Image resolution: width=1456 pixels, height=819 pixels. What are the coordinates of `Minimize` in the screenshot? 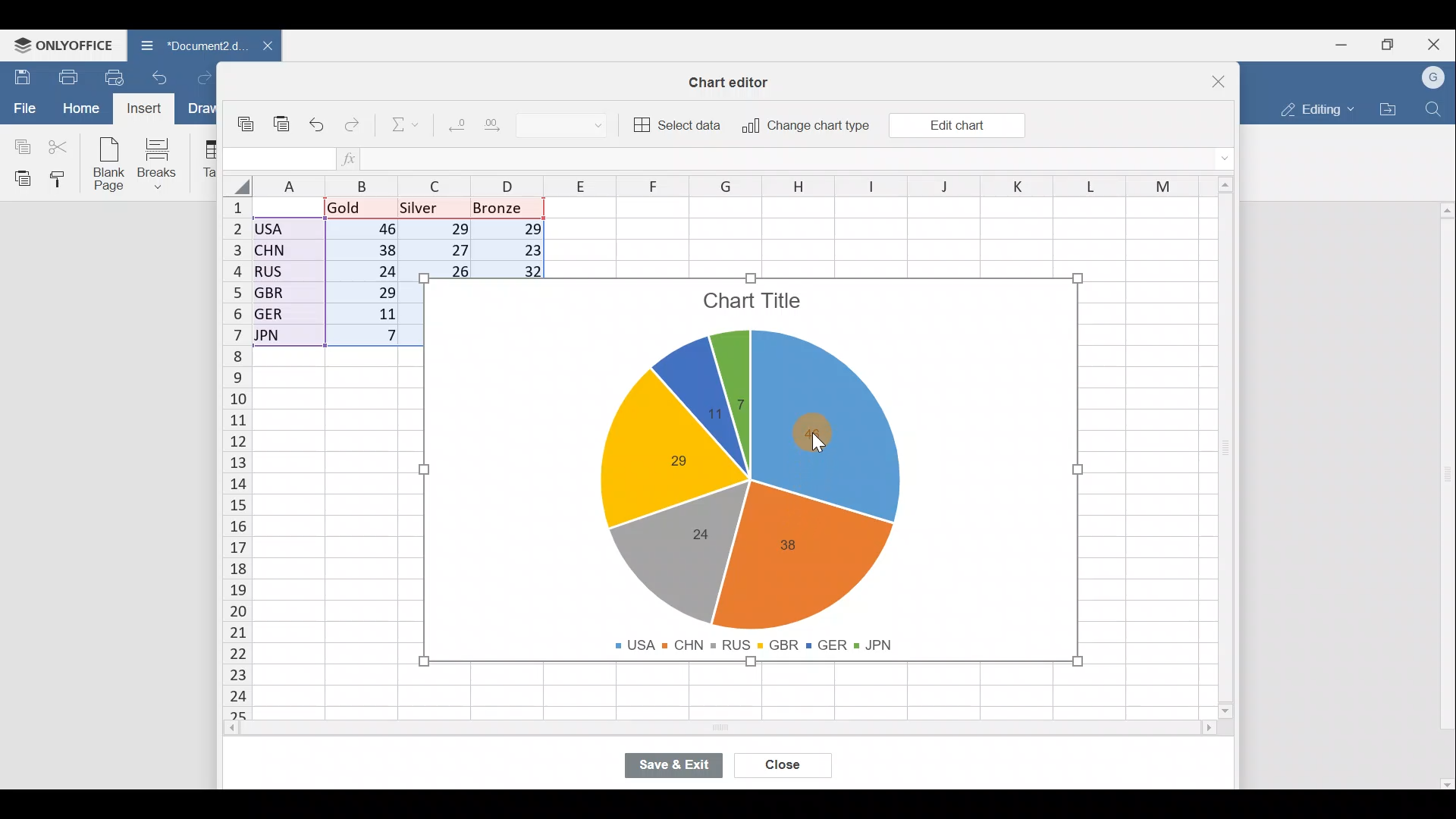 It's located at (1347, 43).